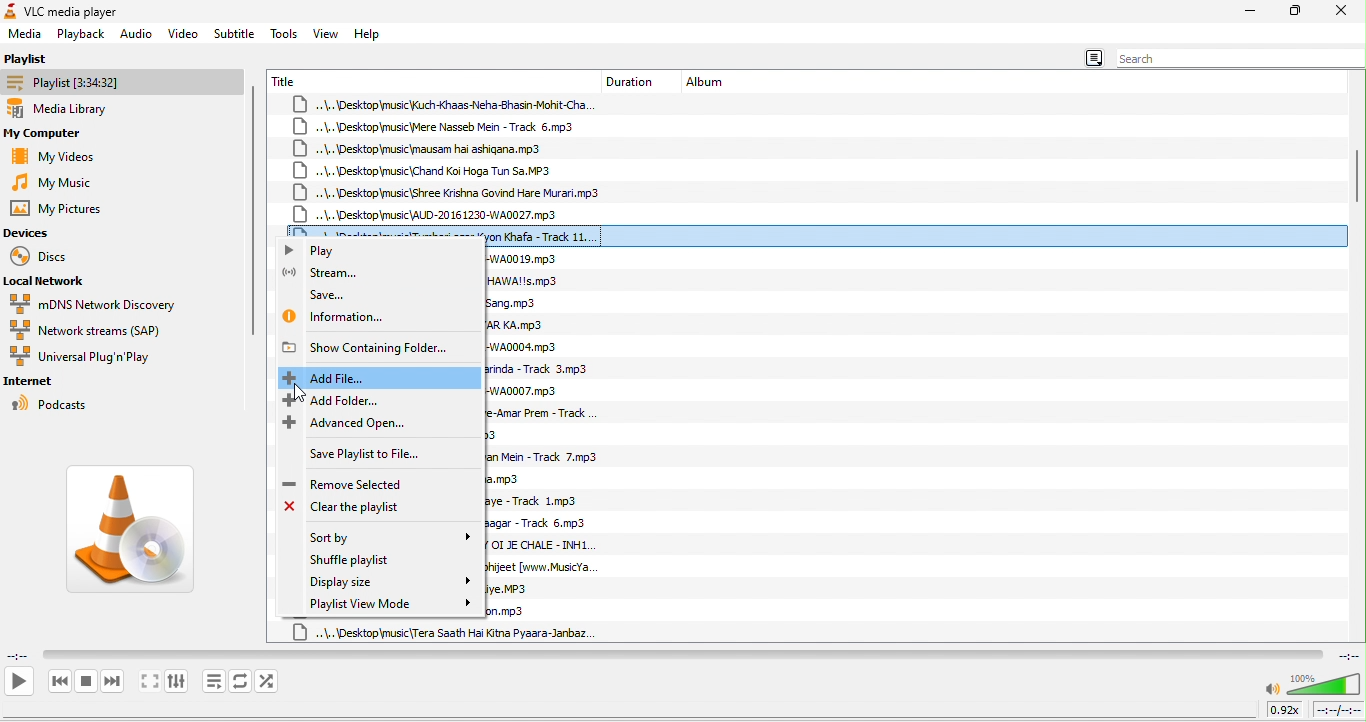 The width and height of the screenshot is (1366, 722). Describe the element at coordinates (1250, 11) in the screenshot. I see `minimize` at that location.